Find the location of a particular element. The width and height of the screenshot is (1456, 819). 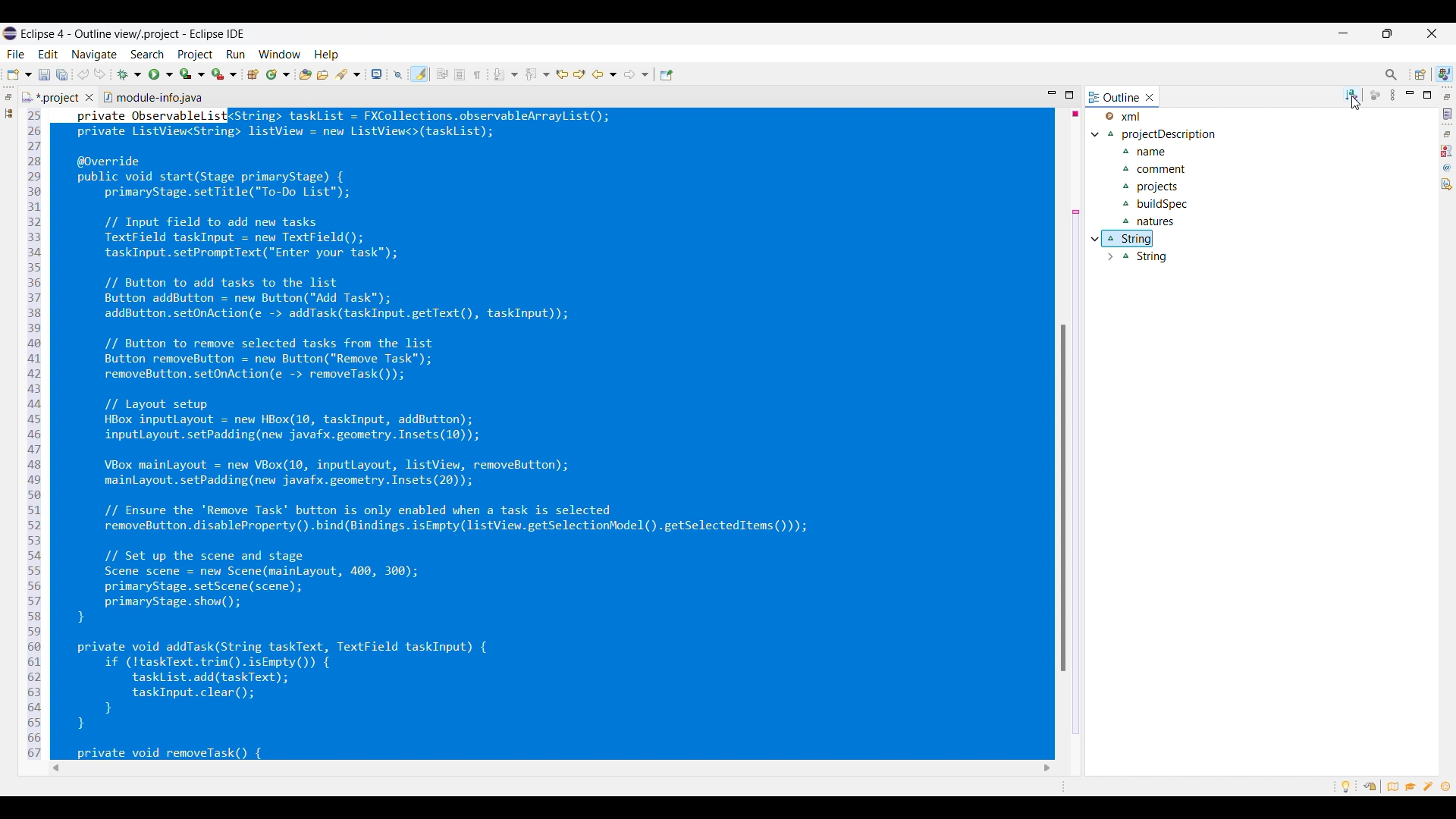

Undo is located at coordinates (83, 74).